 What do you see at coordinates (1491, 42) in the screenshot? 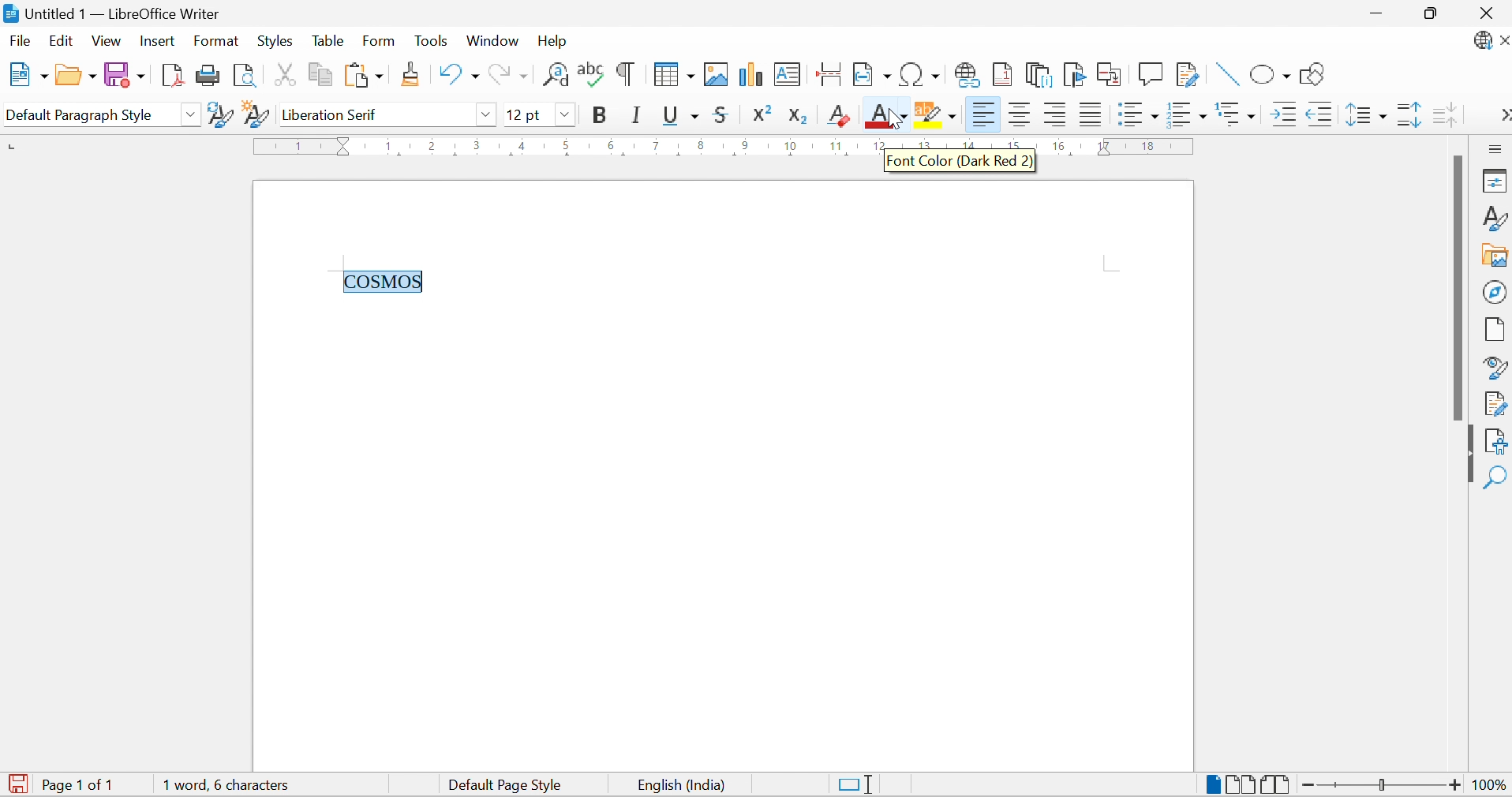
I see `LibreOffice Update Available` at bounding box center [1491, 42].